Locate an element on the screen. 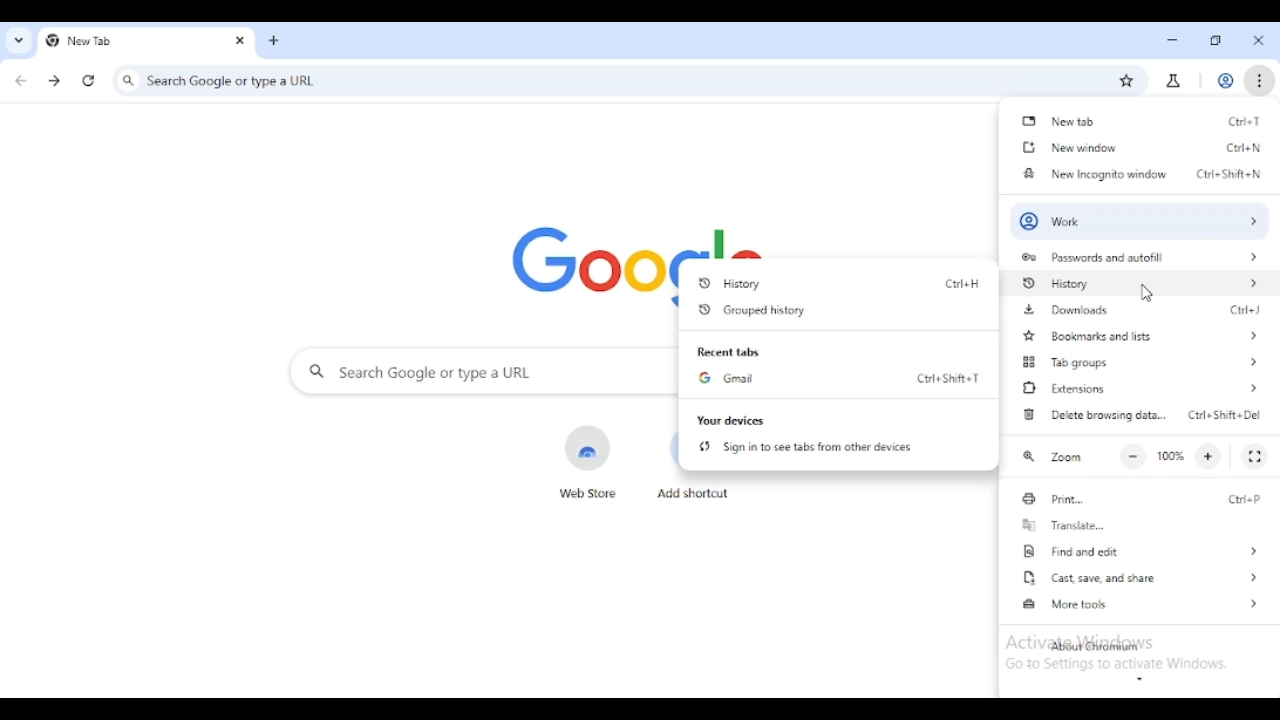 Image resolution: width=1280 pixels, height=720 pixels. cursor is located at coordinates (1146, 294).